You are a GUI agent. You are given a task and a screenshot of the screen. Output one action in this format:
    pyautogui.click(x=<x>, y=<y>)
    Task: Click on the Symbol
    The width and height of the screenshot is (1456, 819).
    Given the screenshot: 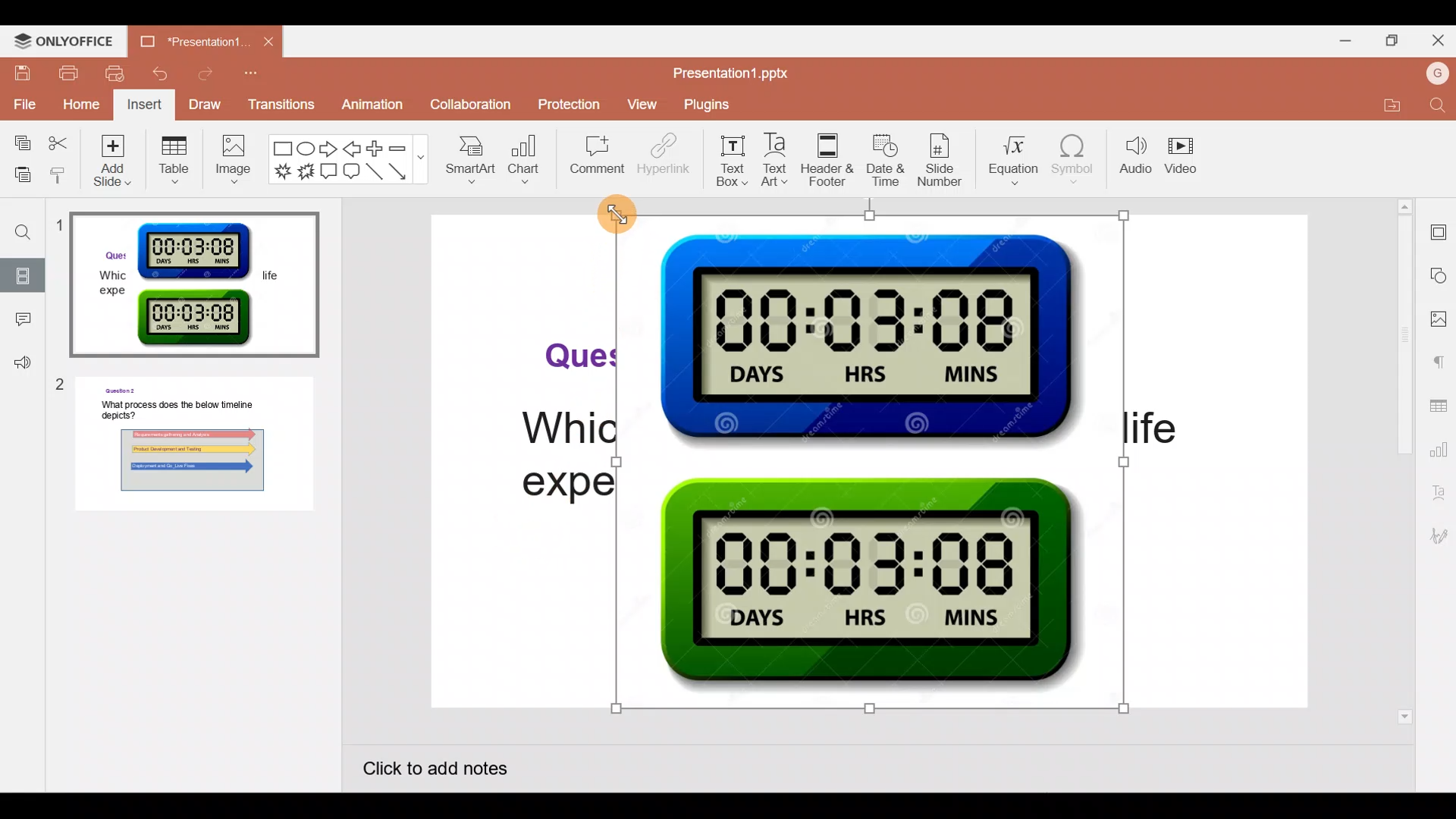 What is the action you would take?
    pyautogui.click(x=1077, y=158)
    